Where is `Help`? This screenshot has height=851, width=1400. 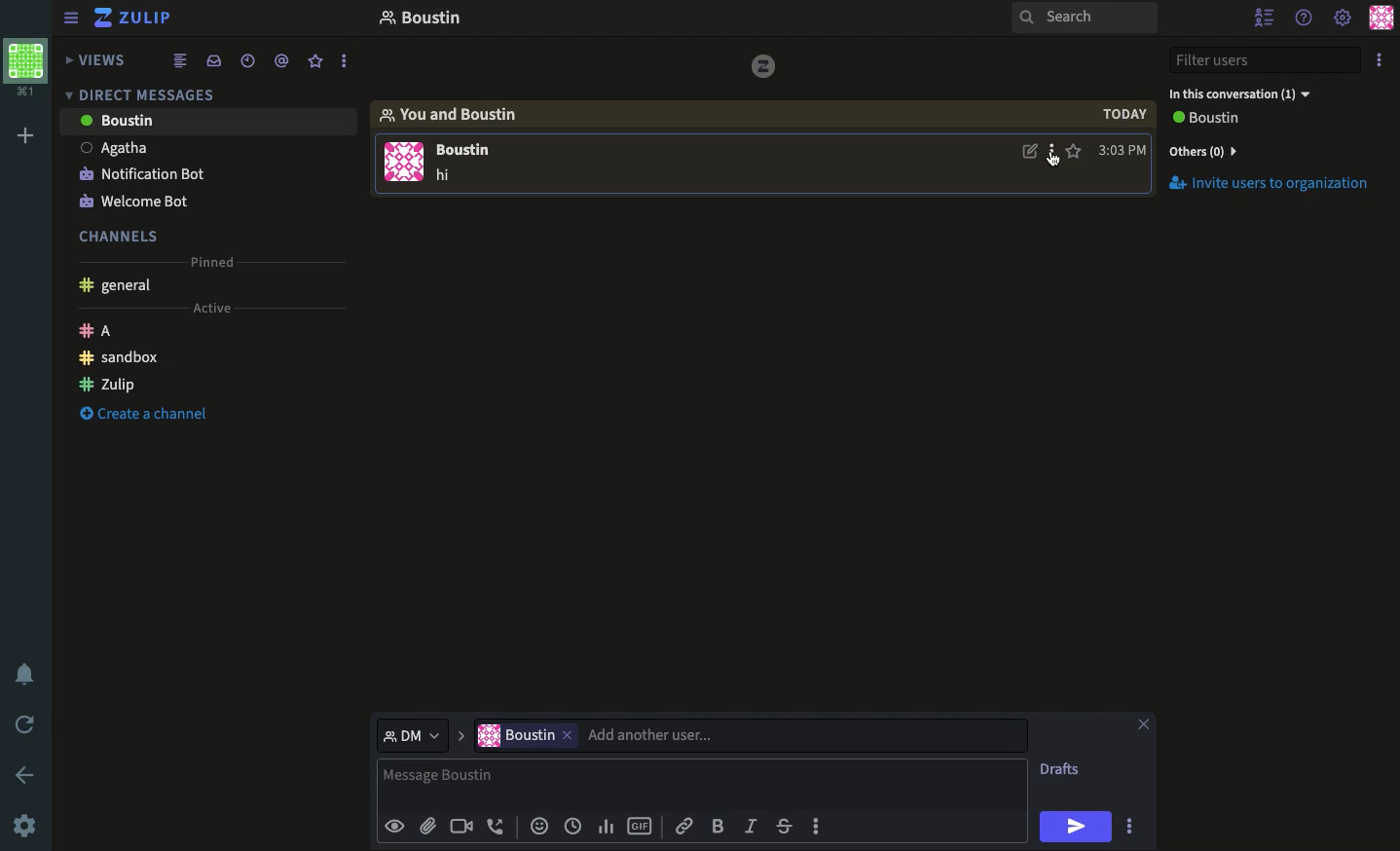
Help is located at coordinates (1305, 17).